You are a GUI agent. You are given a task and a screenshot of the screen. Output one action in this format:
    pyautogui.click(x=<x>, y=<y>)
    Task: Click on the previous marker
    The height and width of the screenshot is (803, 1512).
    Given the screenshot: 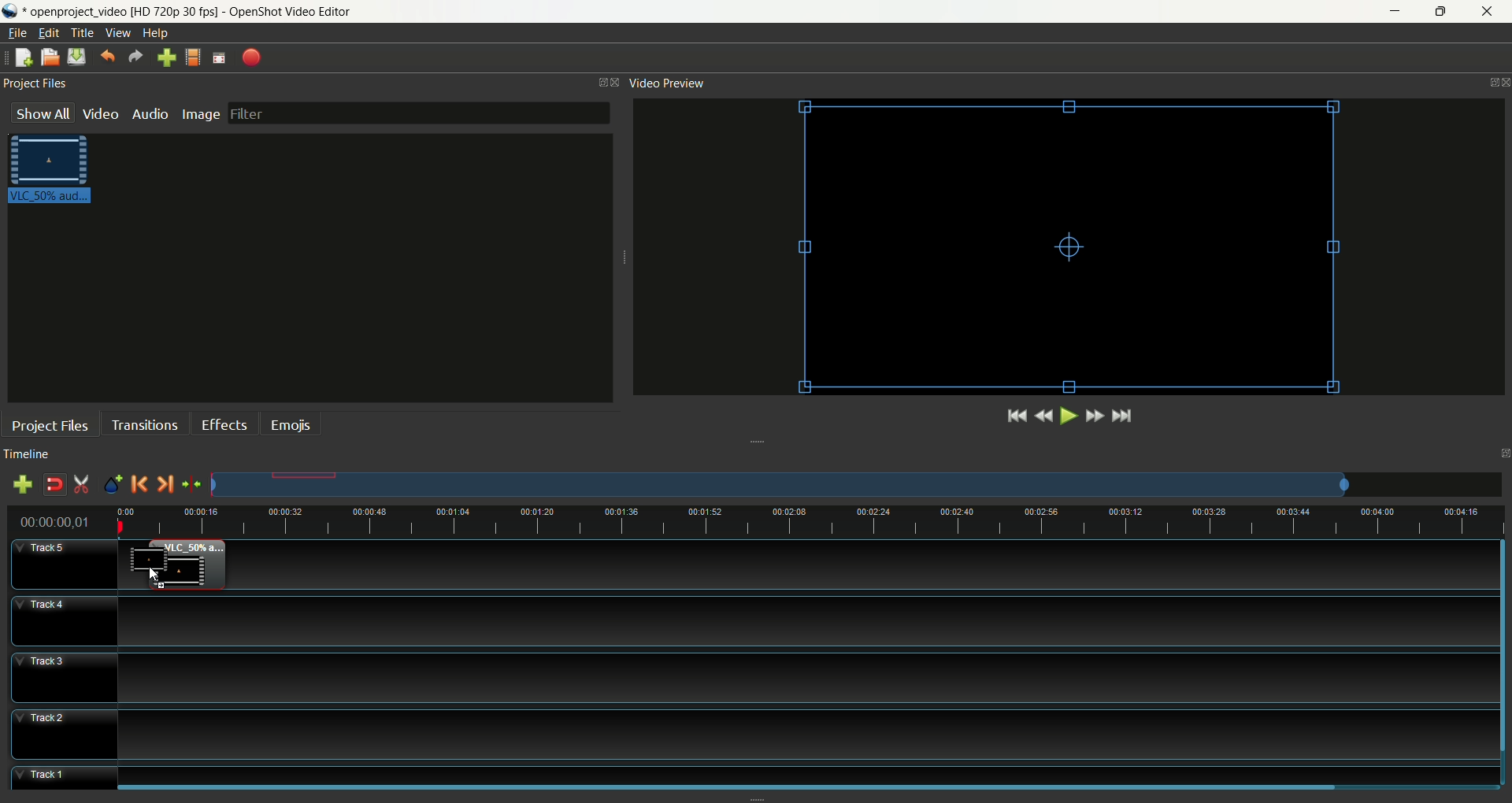 What is the action you would take?
    pyautogui.click(x=139, y=483)
    